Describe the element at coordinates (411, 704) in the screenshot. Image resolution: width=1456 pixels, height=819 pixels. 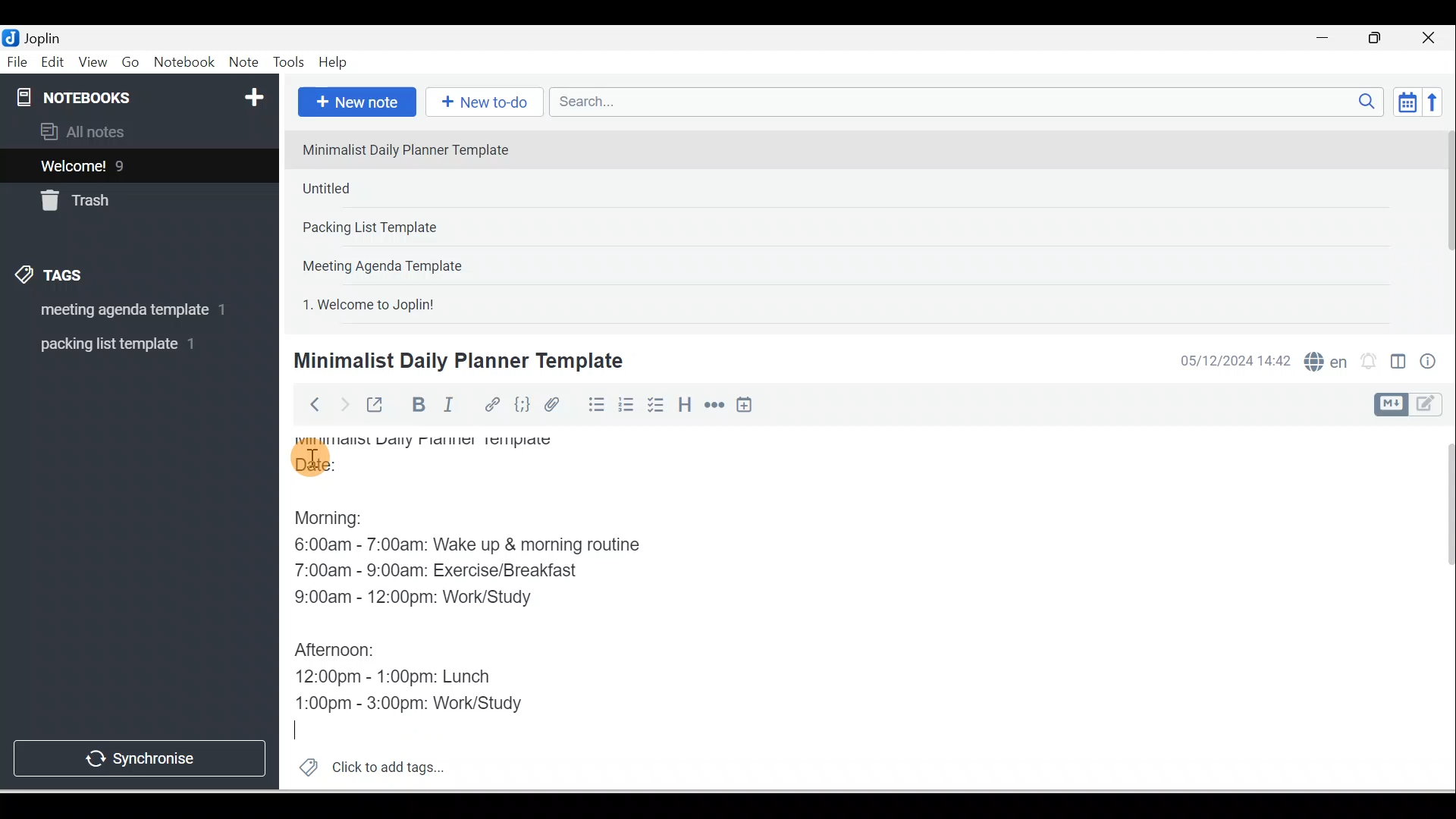
I see `1:00pm - 3:00pm: Work/Study` at that location.